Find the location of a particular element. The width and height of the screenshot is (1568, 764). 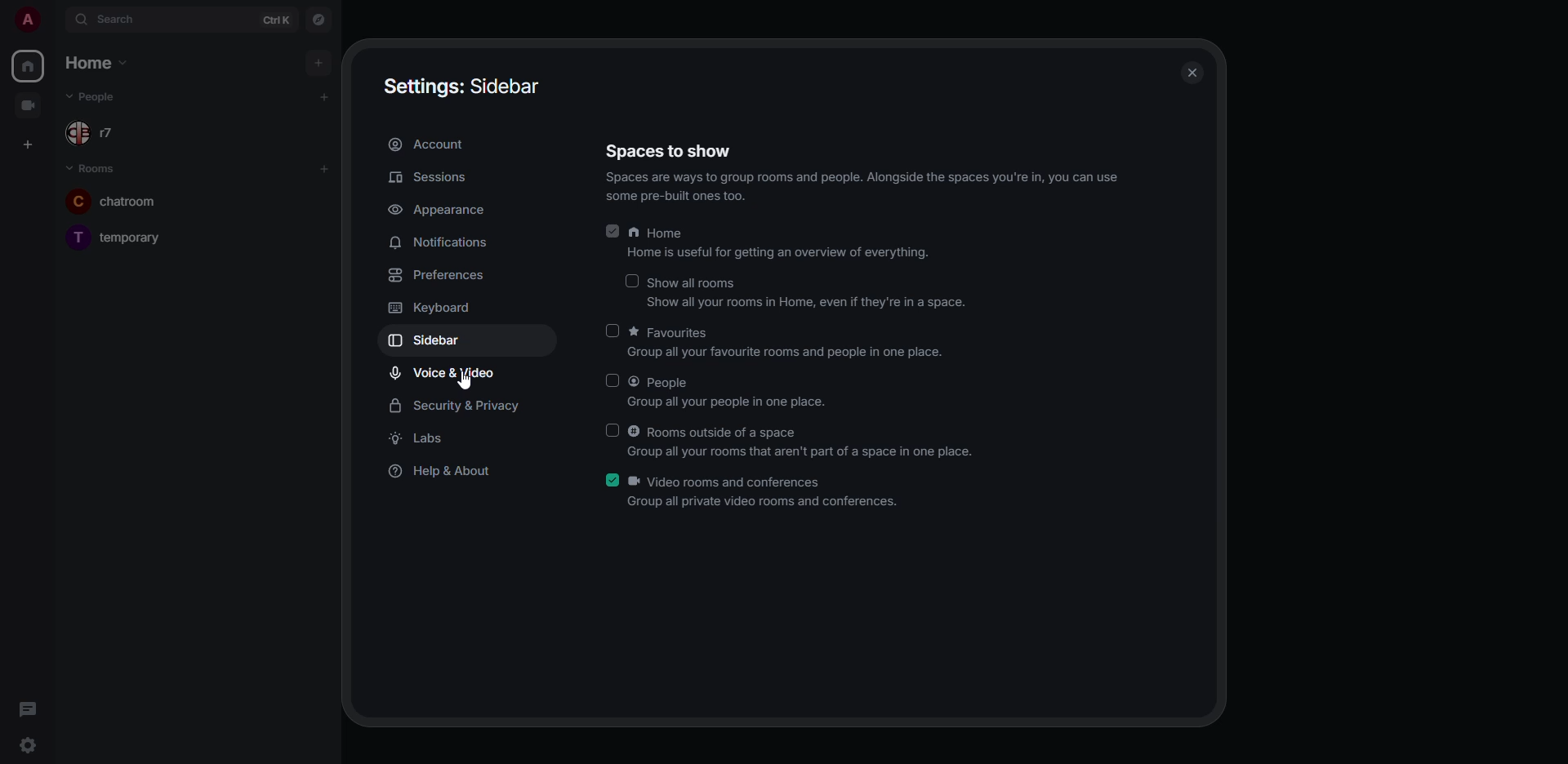

home is located at coordinates (777, 240).